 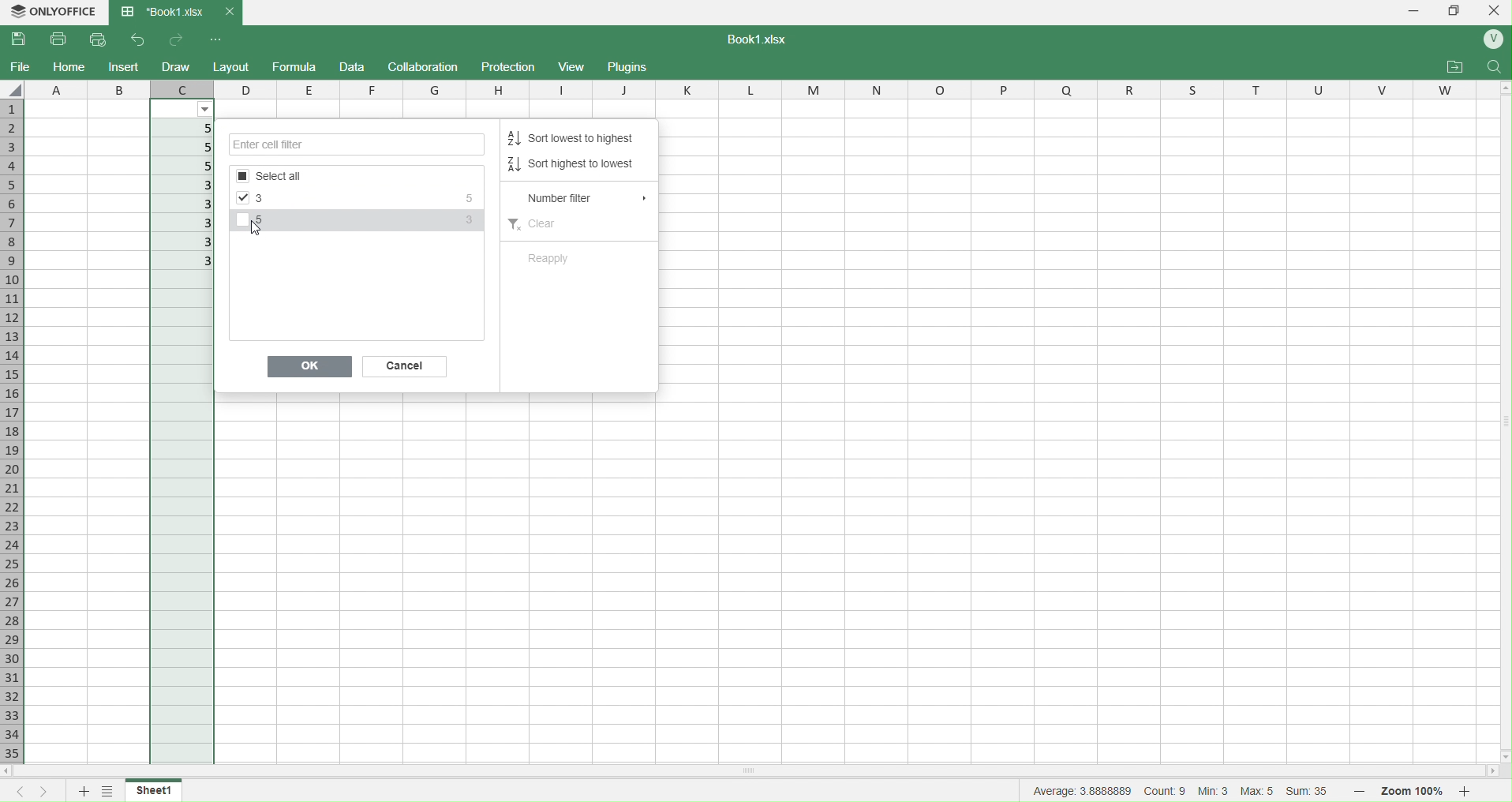 What do you see at coordinates (866, 770) in the screenshot?
I see `Scrollbar` at bounding box center [866, 770].